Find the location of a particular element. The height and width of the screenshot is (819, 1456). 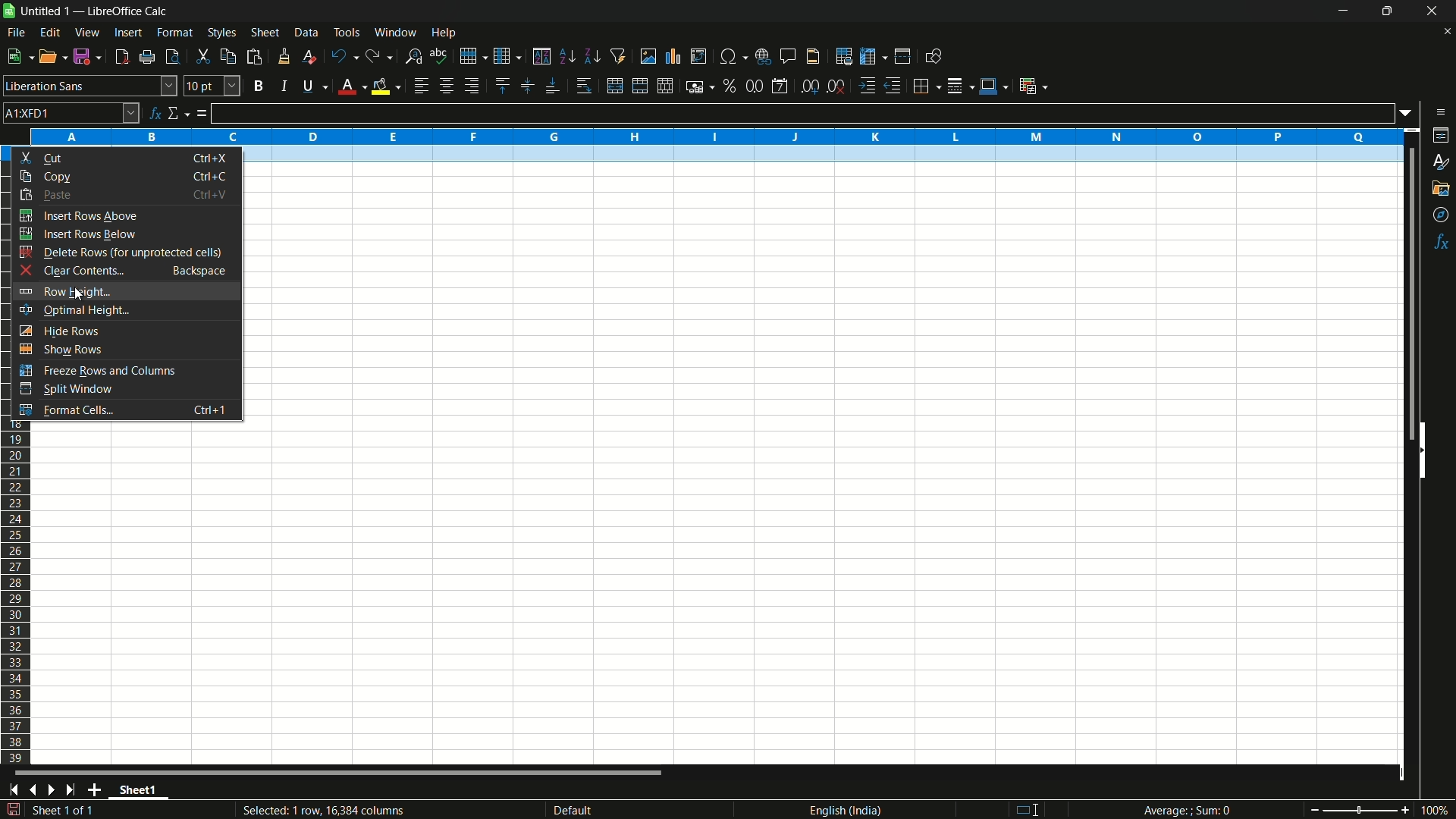

undo is located at coordinates (341, 55).